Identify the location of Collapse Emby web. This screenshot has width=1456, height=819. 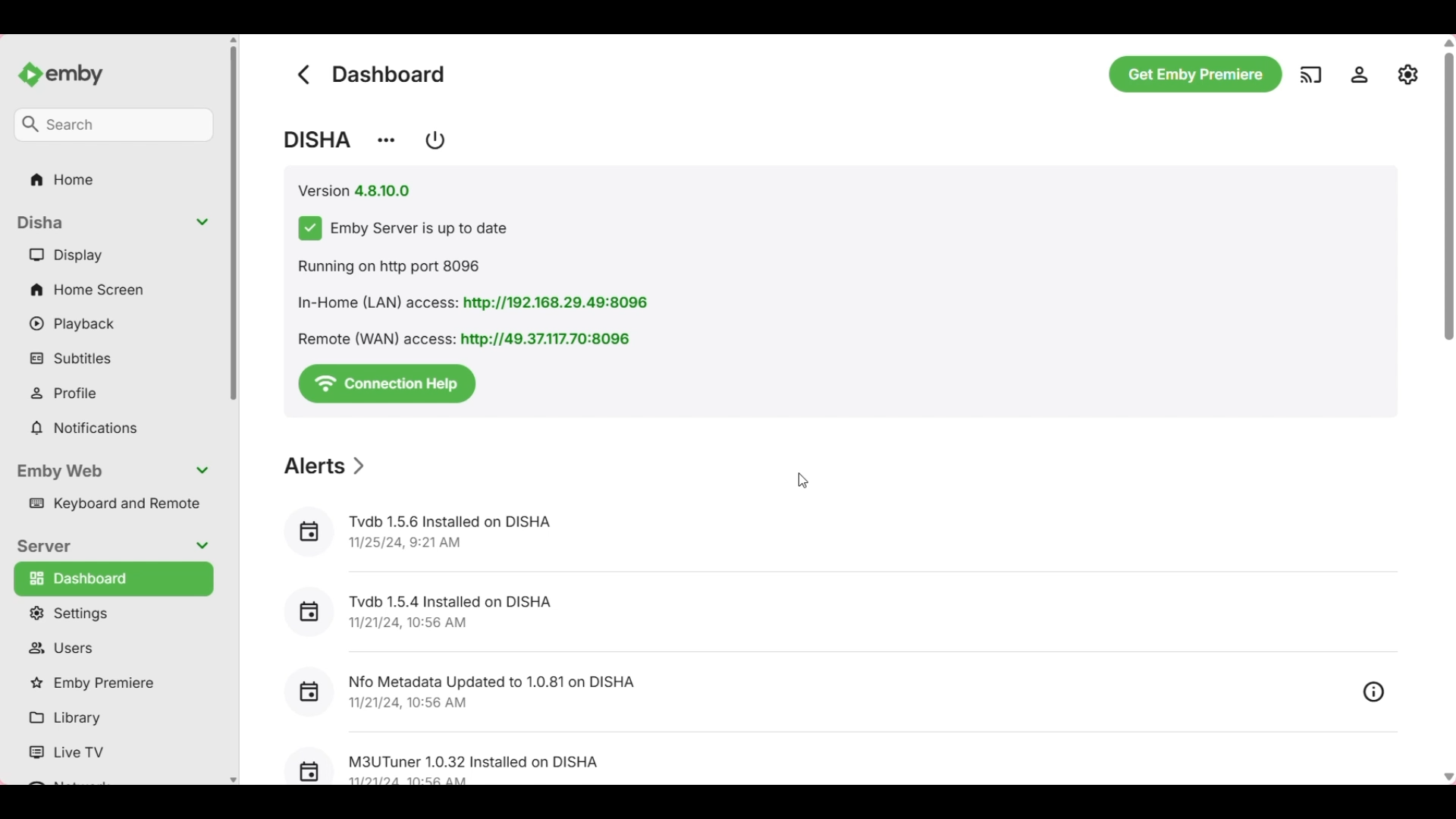
(112, 472).